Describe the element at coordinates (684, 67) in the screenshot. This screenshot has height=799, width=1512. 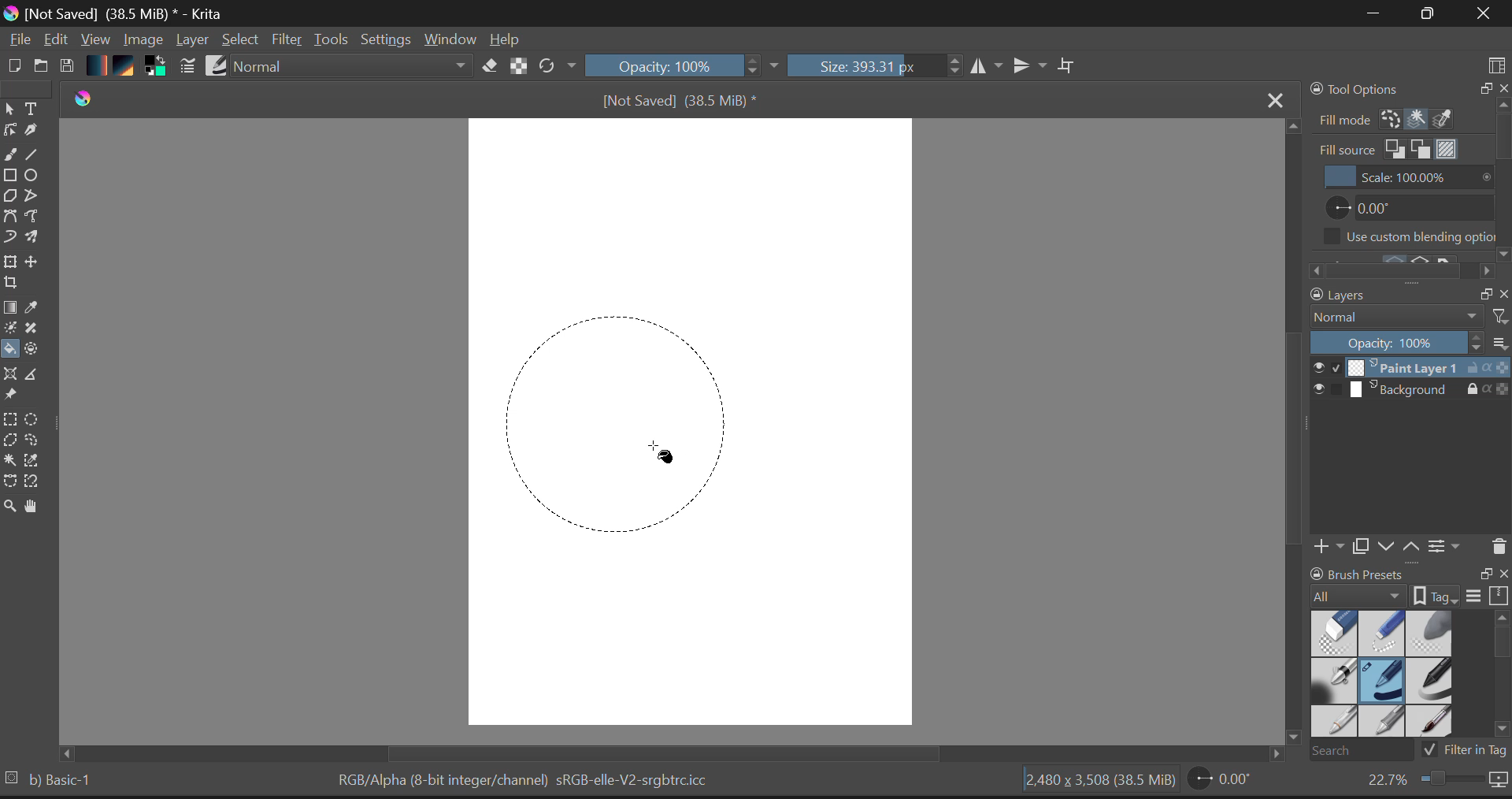
I see `Opacity` at that location.